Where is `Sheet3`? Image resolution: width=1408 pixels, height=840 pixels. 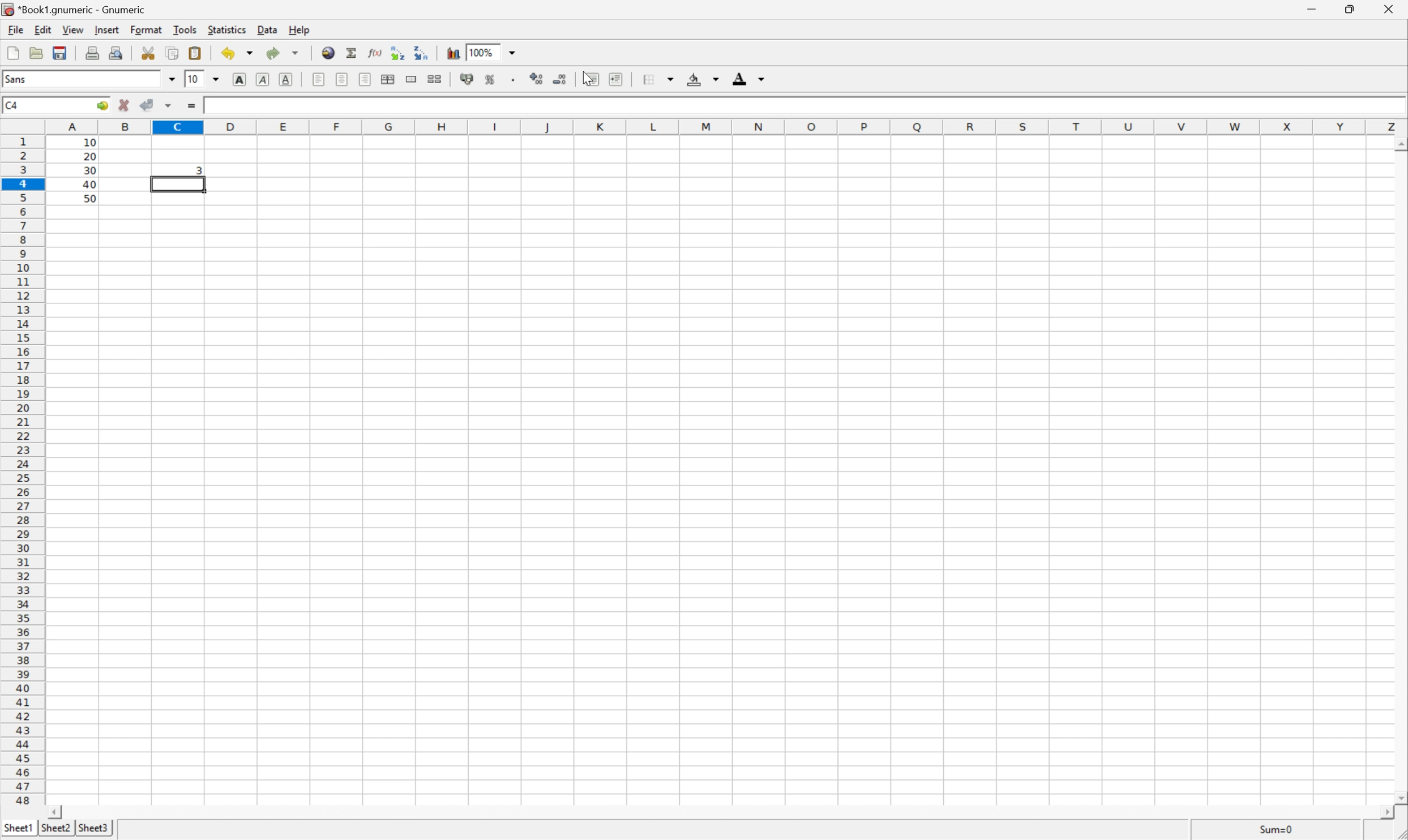 Sheet3 is located at coordinates (96, 827).